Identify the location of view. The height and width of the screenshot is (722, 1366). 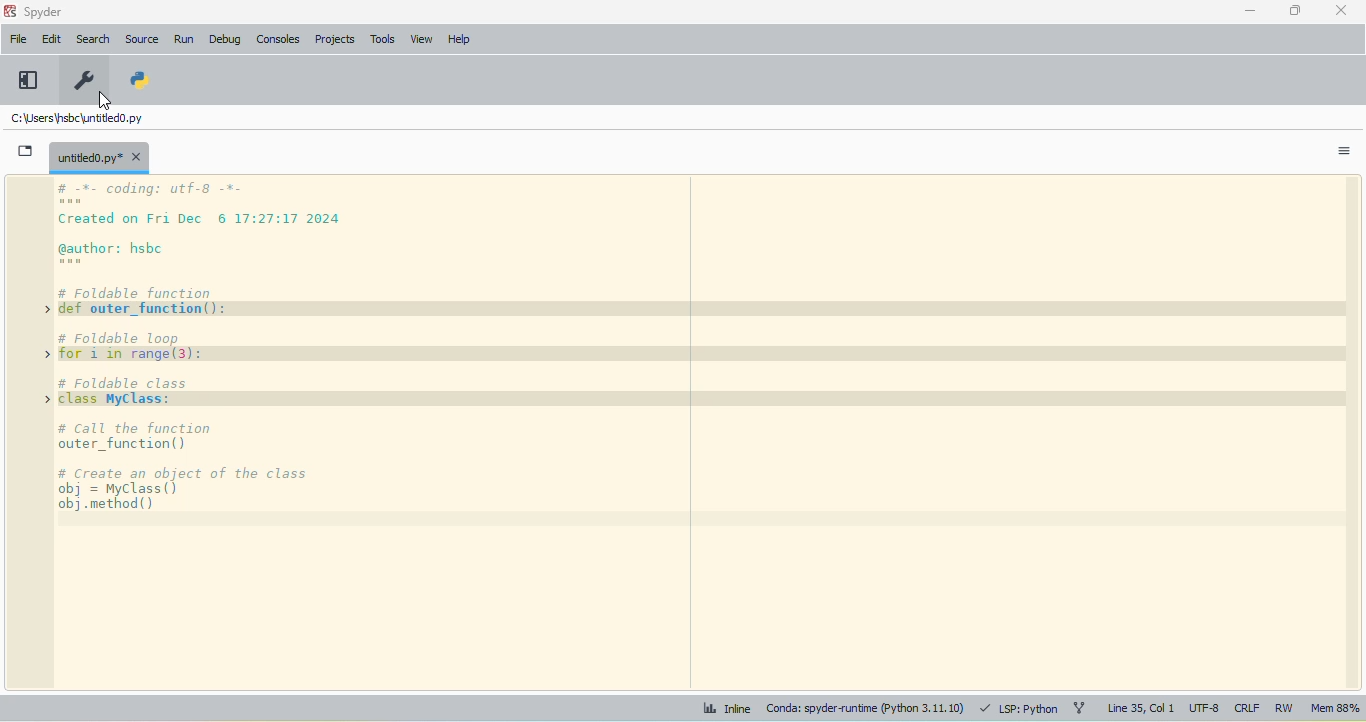
(423, 39).